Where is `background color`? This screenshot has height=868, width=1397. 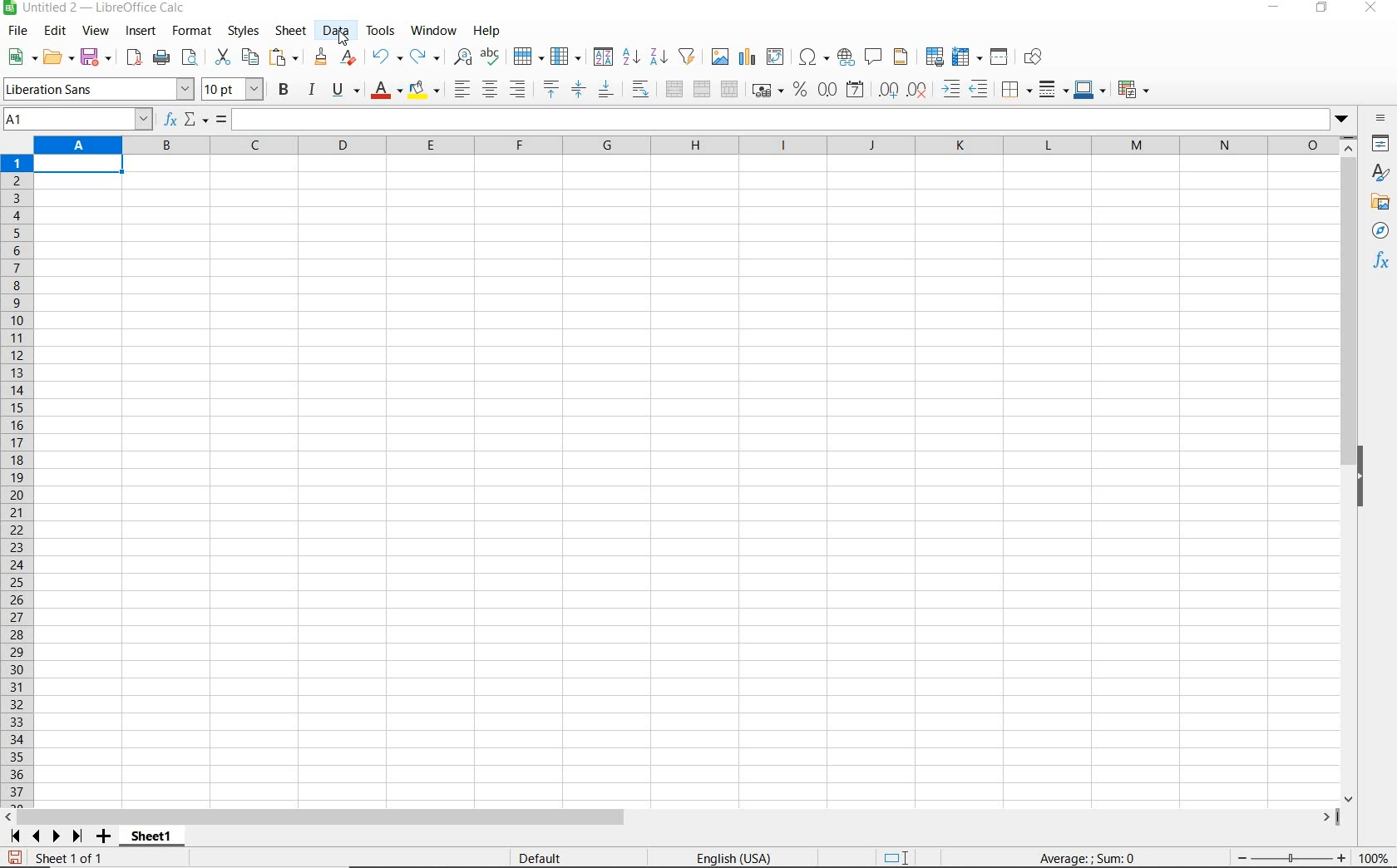 background color is located at coordinates (423, 91).